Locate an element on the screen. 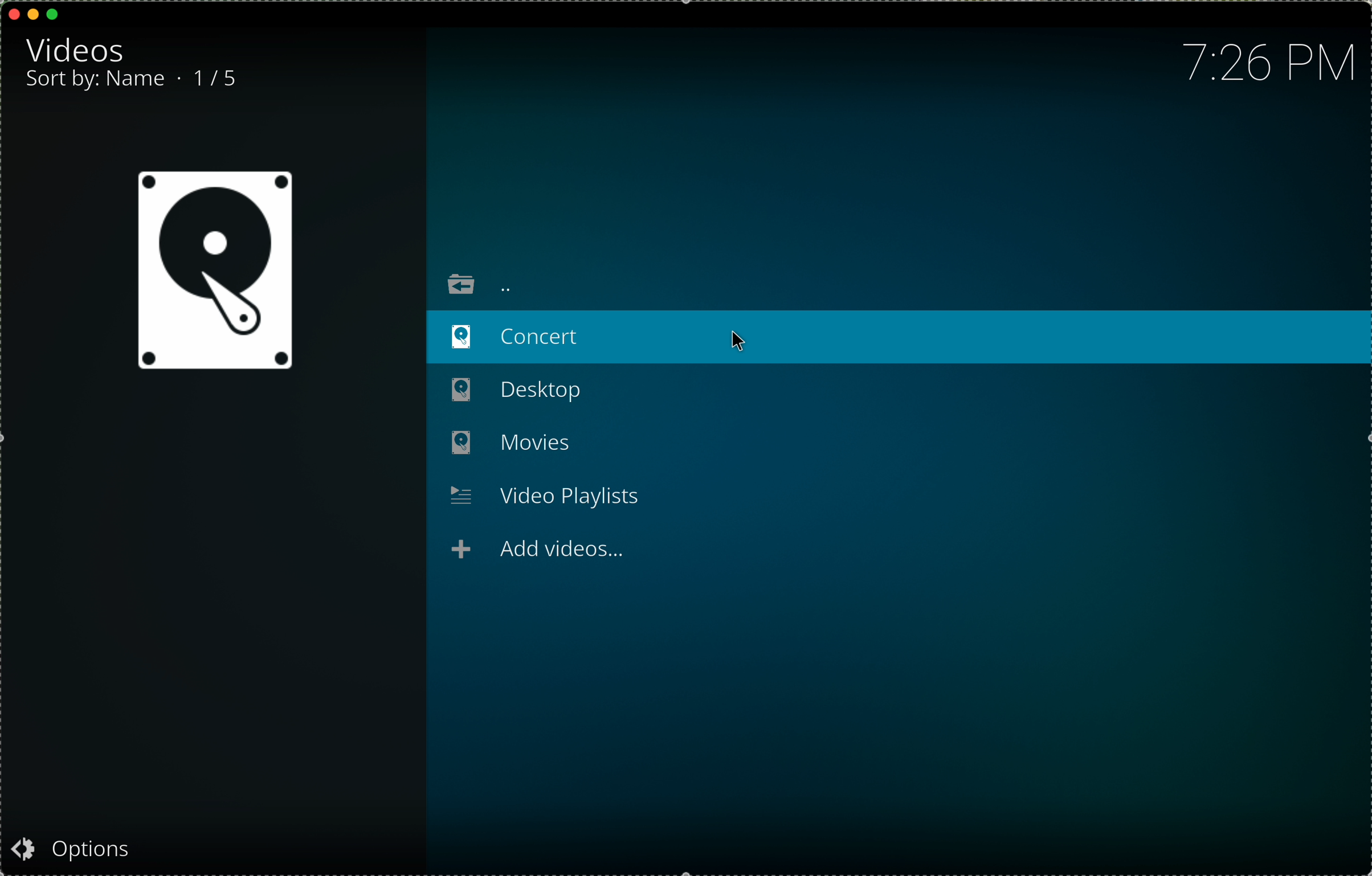  navigate back is located at coordinates (479, 284).